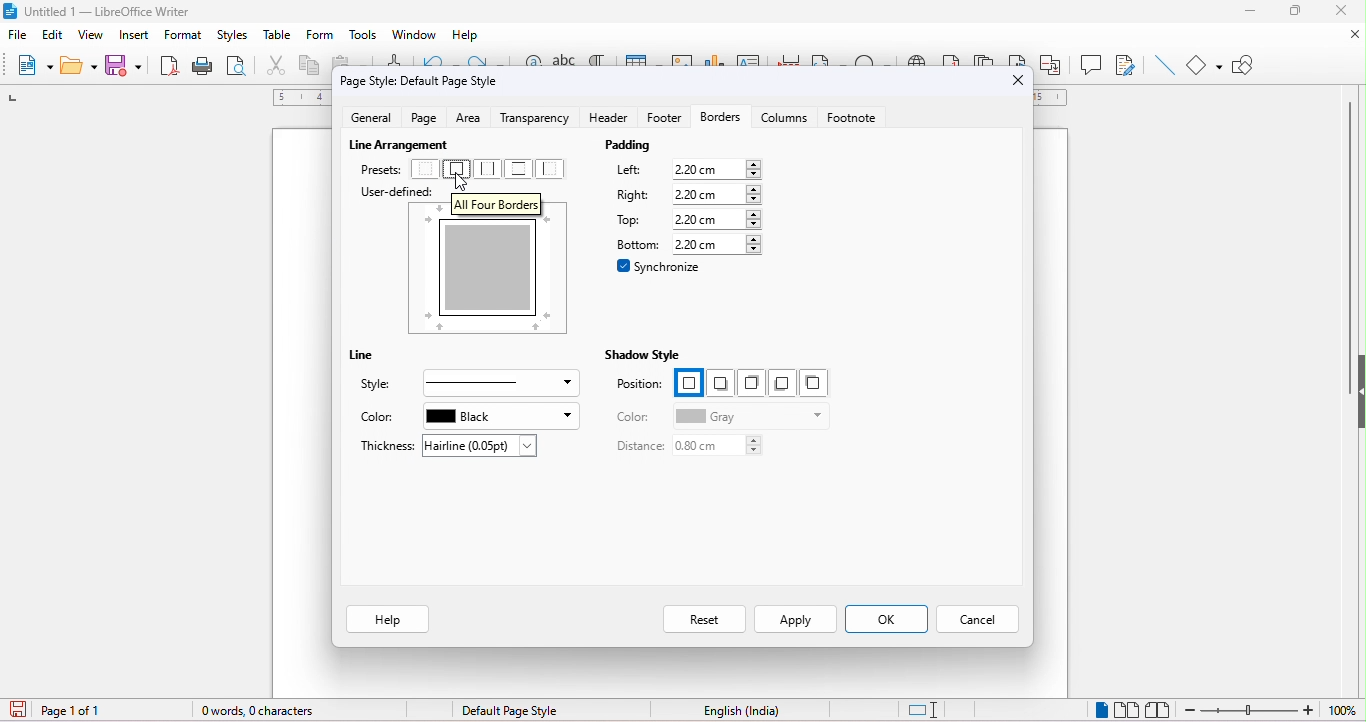  Describe the element at coordinates (74, 710) in the screenshot. I see `page number in document` at that location.